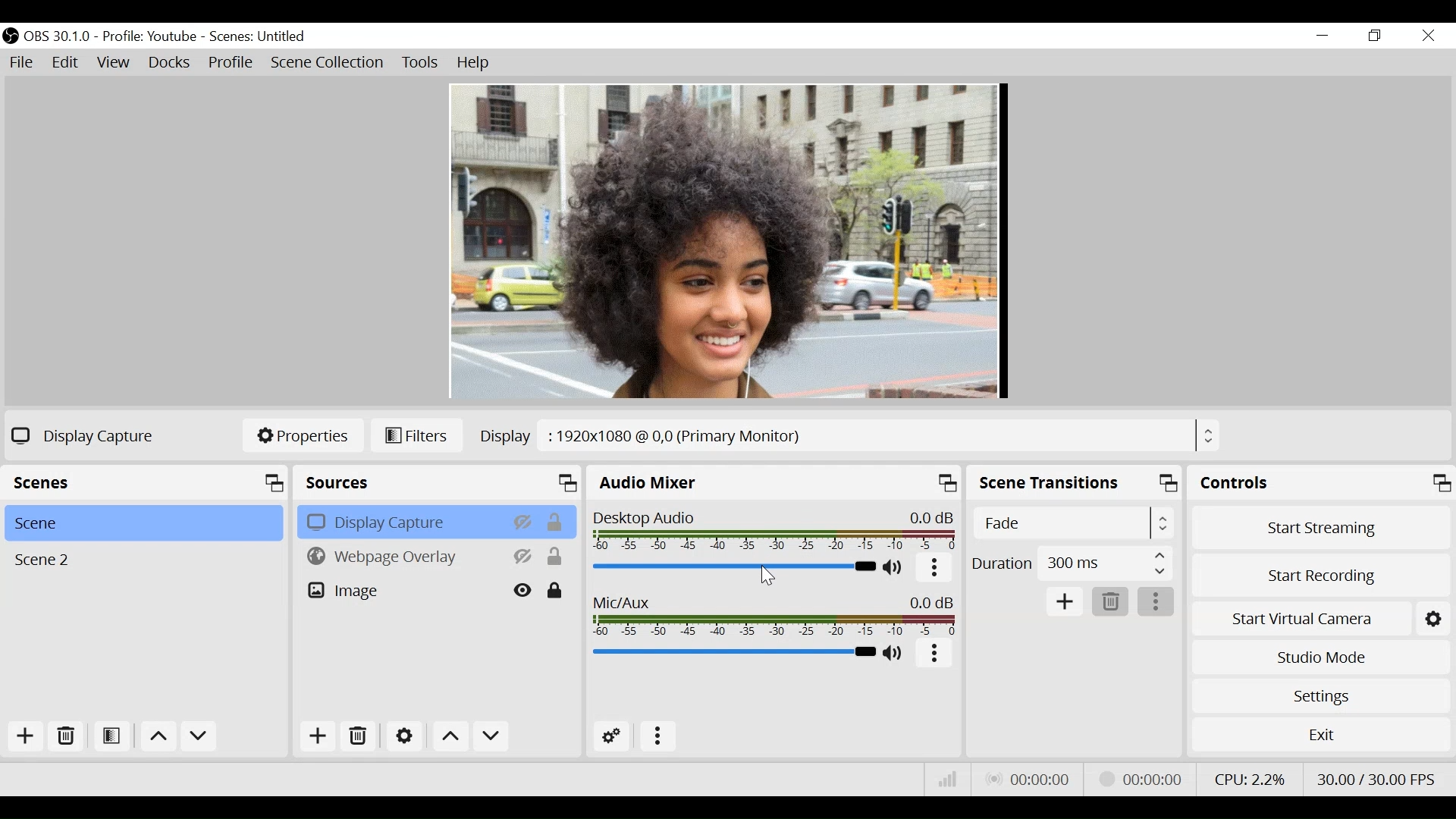 Image resolution: width=1456 pixels, height=819 pixels. What do you see at coordinates (402, 591) in the screenshot?
I see `Image Source` at bounding box center [402, 591].